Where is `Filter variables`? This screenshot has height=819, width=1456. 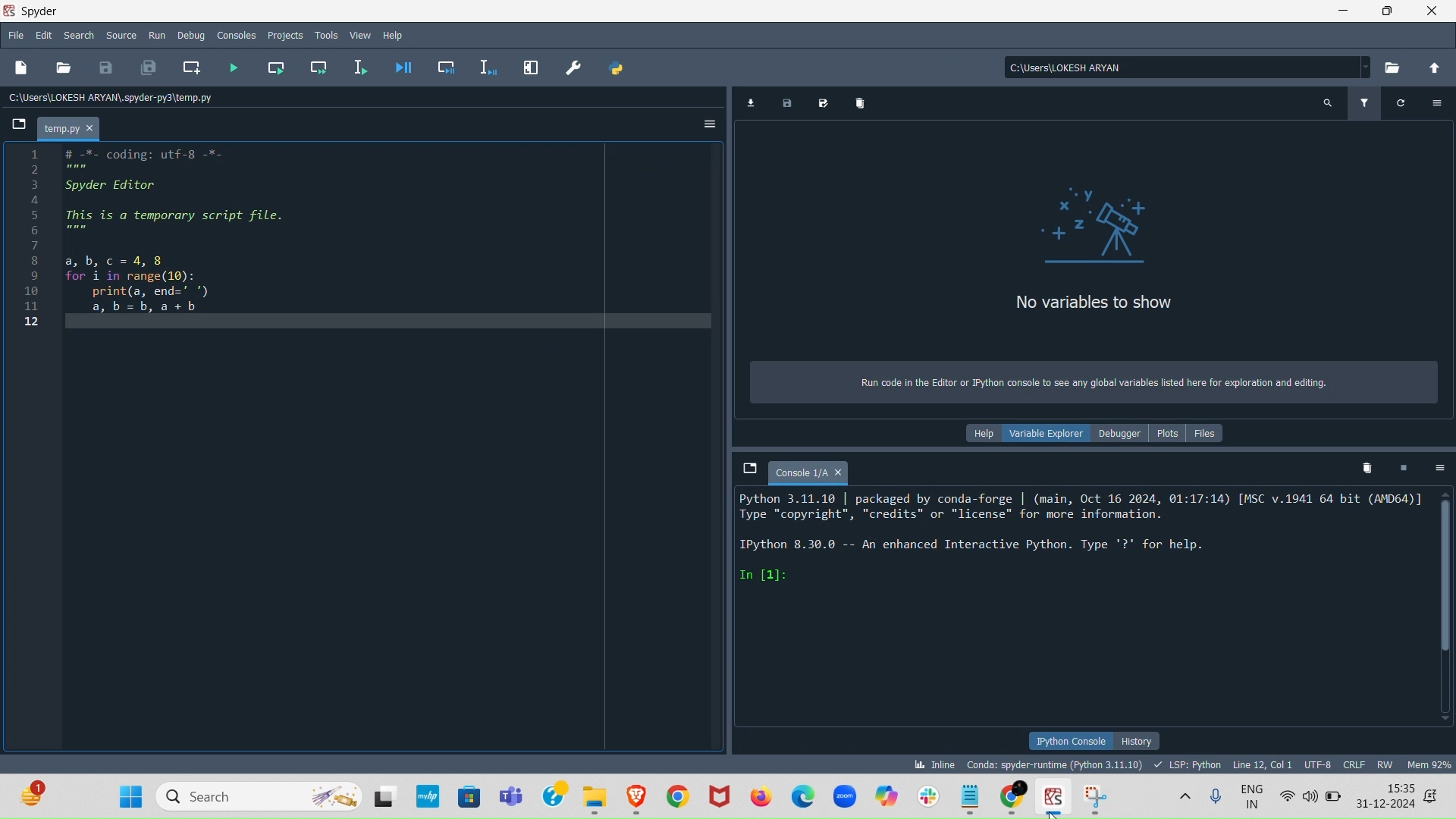
Filter variables is located at coordinates (1402, 100).